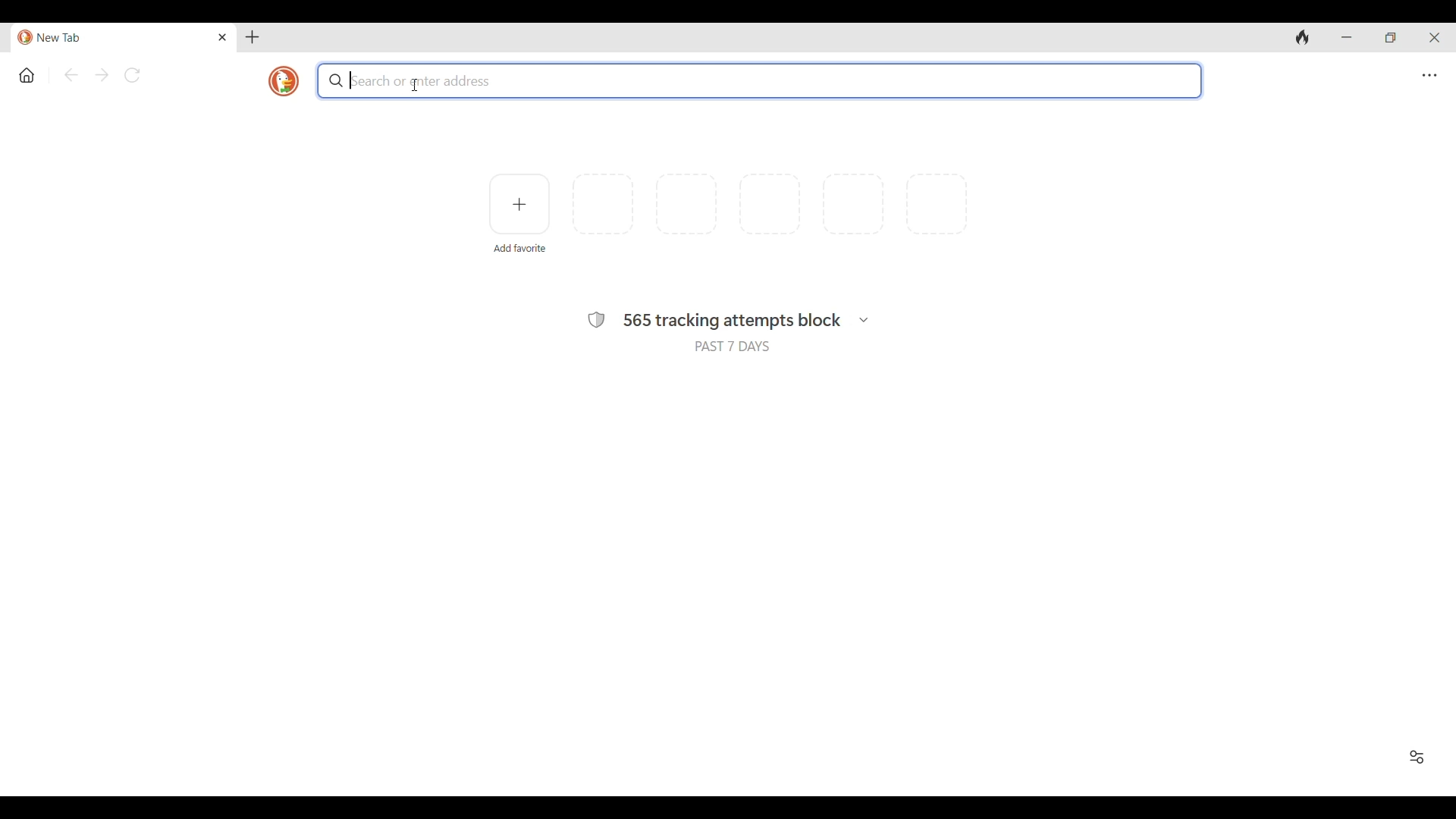  Describe the element at coordinates (770, 204) in the screenshot. I see `Space for adding more site shortcuts` at that location.